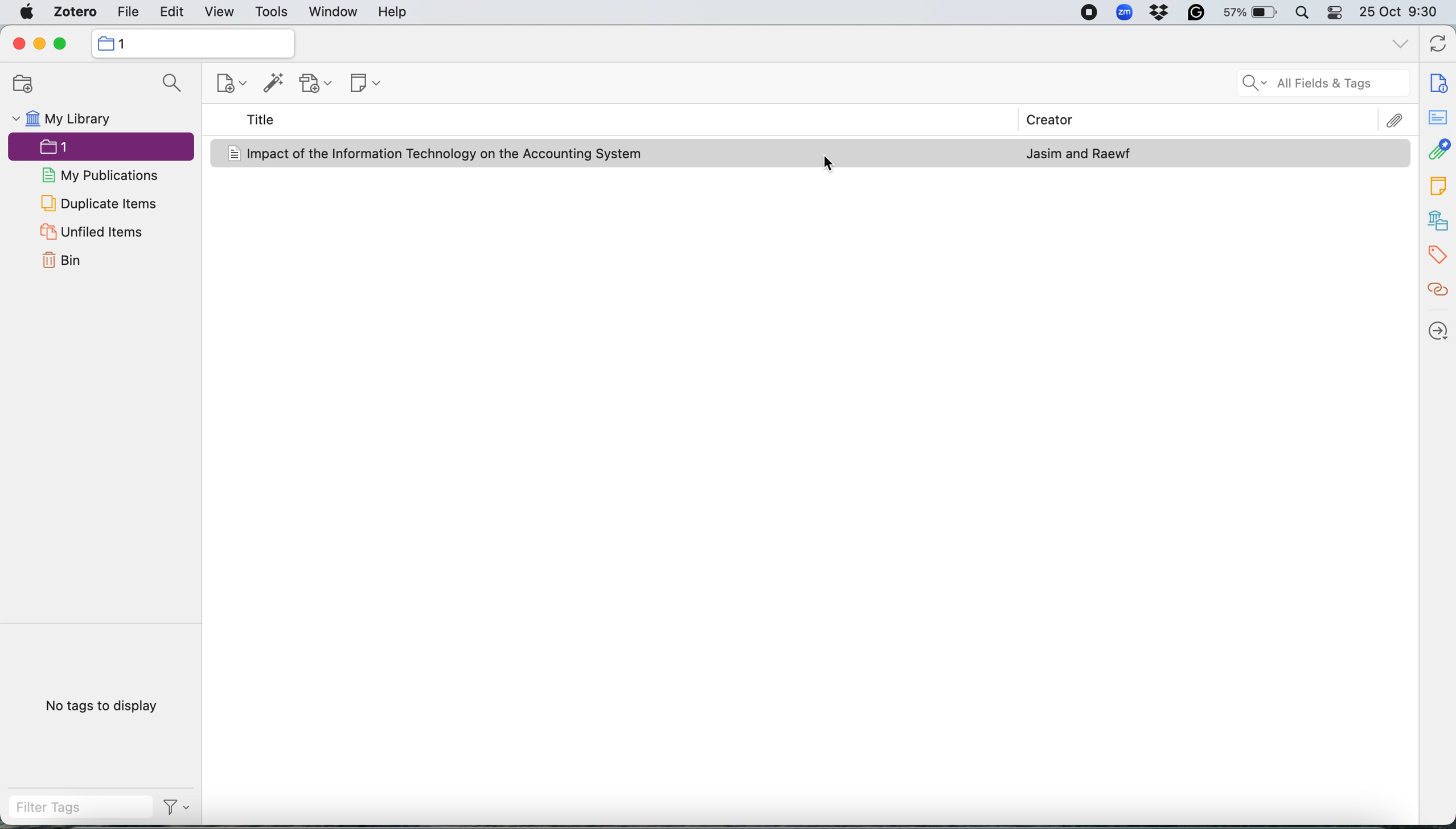  What do you see at coordinates (15, 44) in the screenshot?
I see `close` at bounding box center [15, 44].